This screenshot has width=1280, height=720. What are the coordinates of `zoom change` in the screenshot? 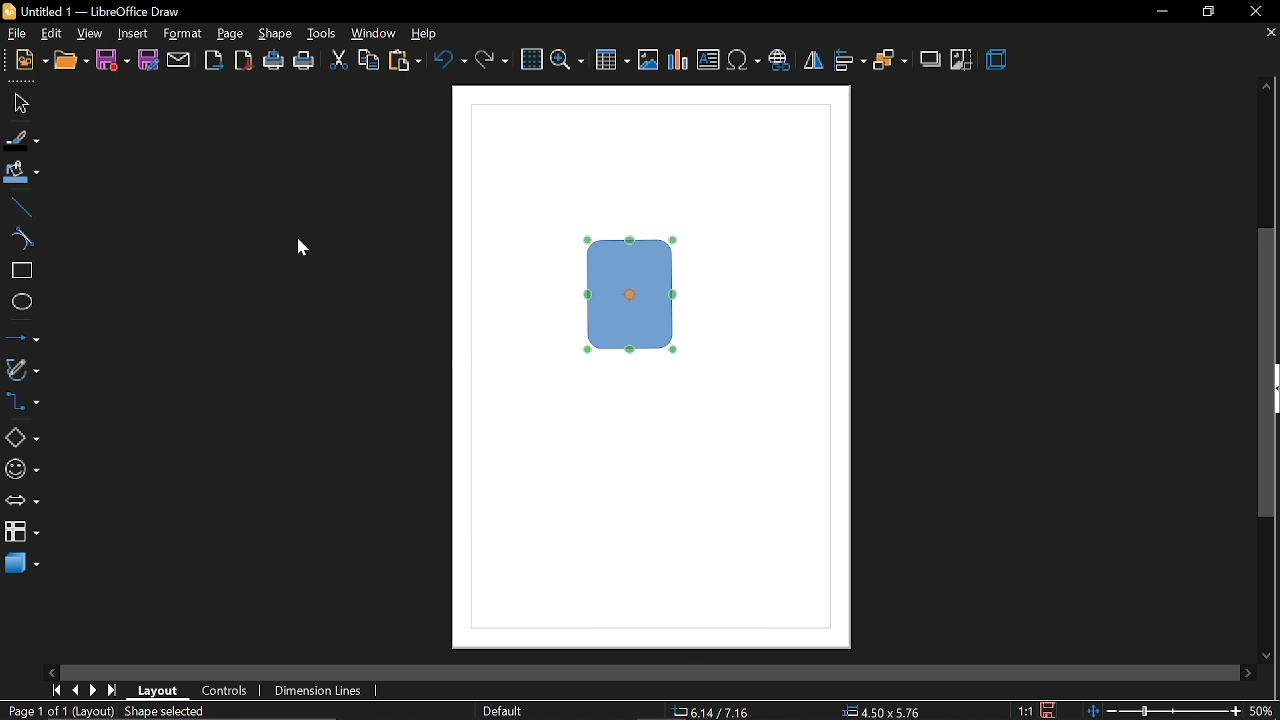 It's located at (1164, 712).